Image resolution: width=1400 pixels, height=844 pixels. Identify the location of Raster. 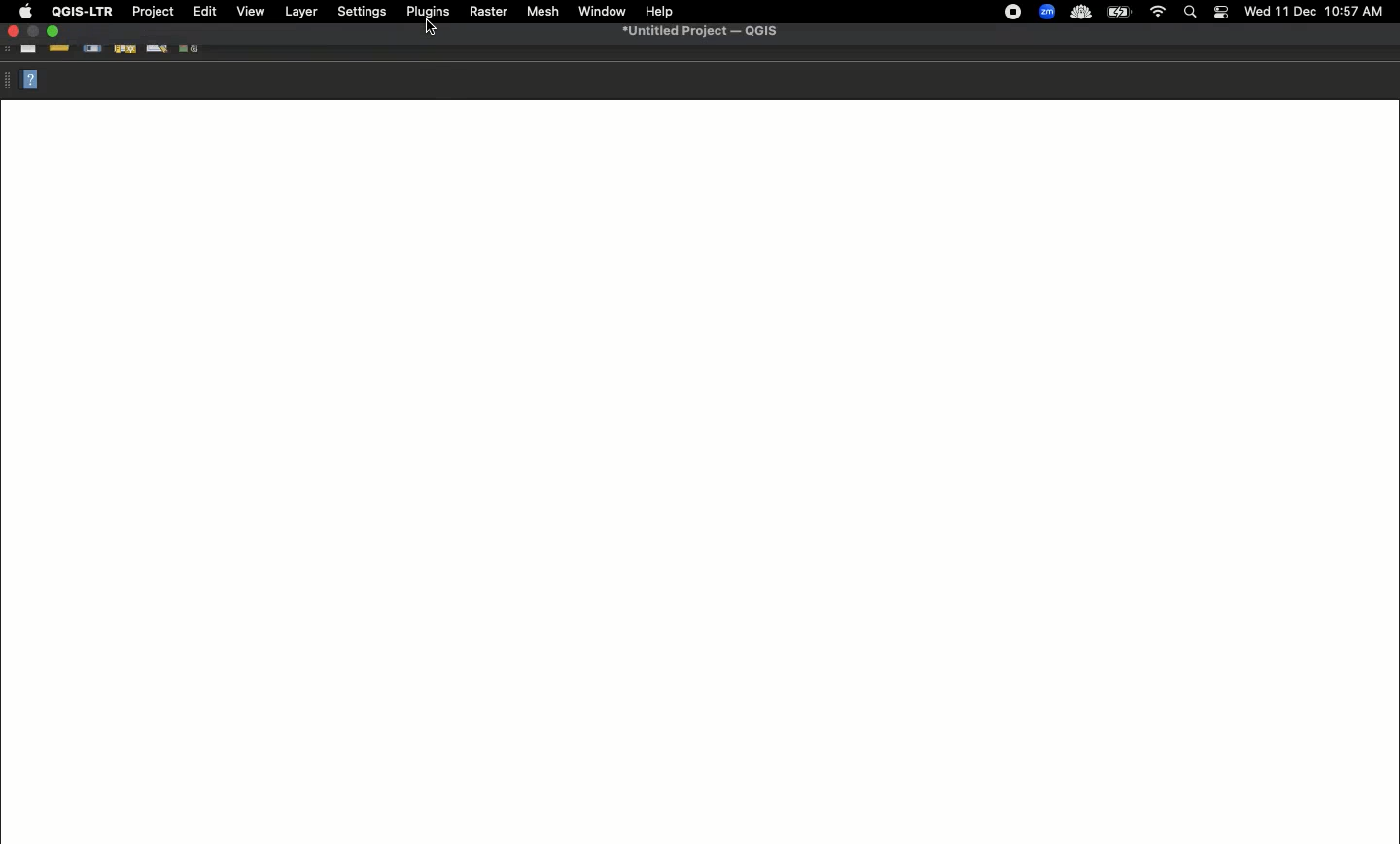
(489, 13).